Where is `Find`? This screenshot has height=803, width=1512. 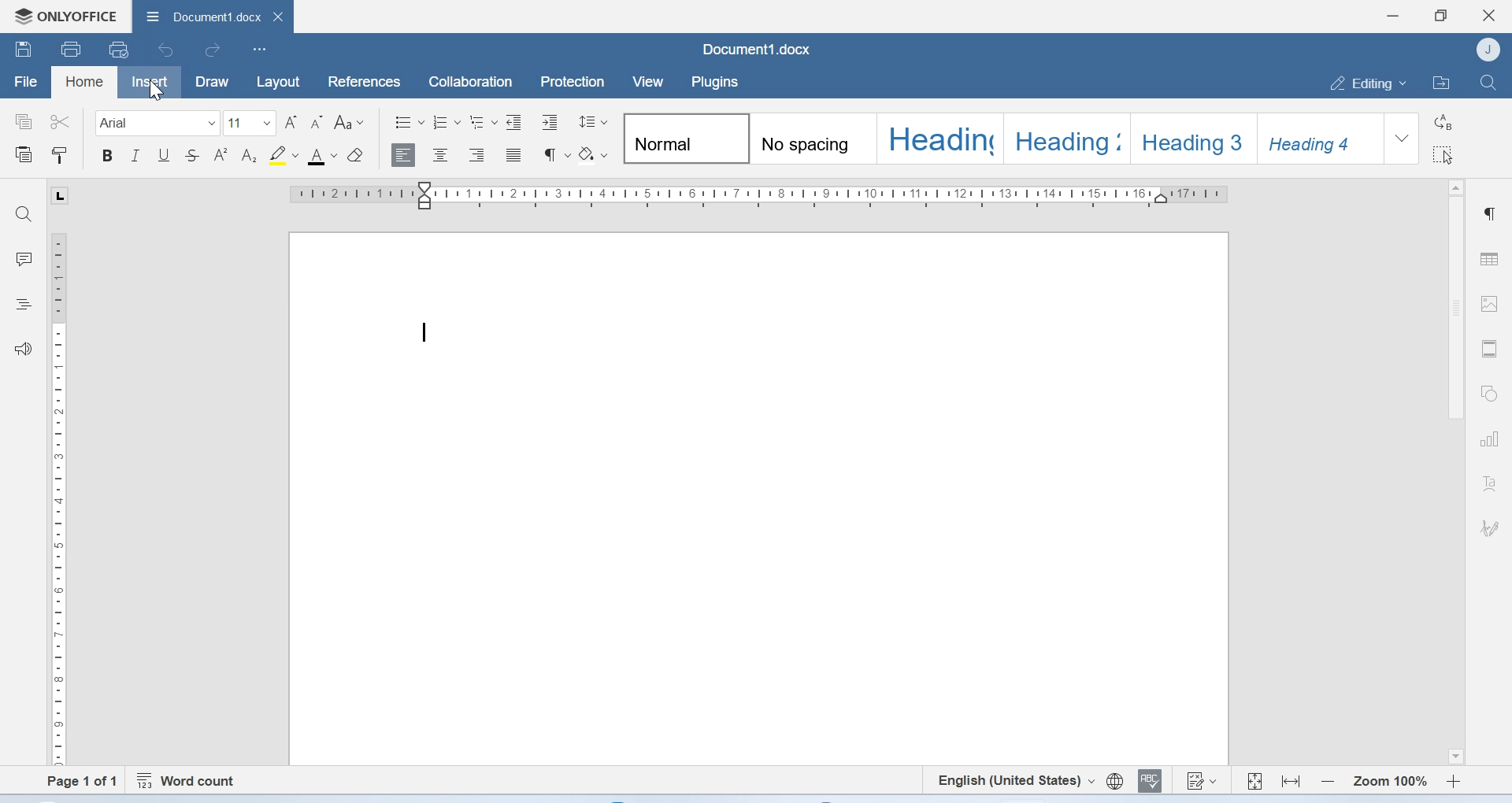 Find is located at coordinates (1488, 82).